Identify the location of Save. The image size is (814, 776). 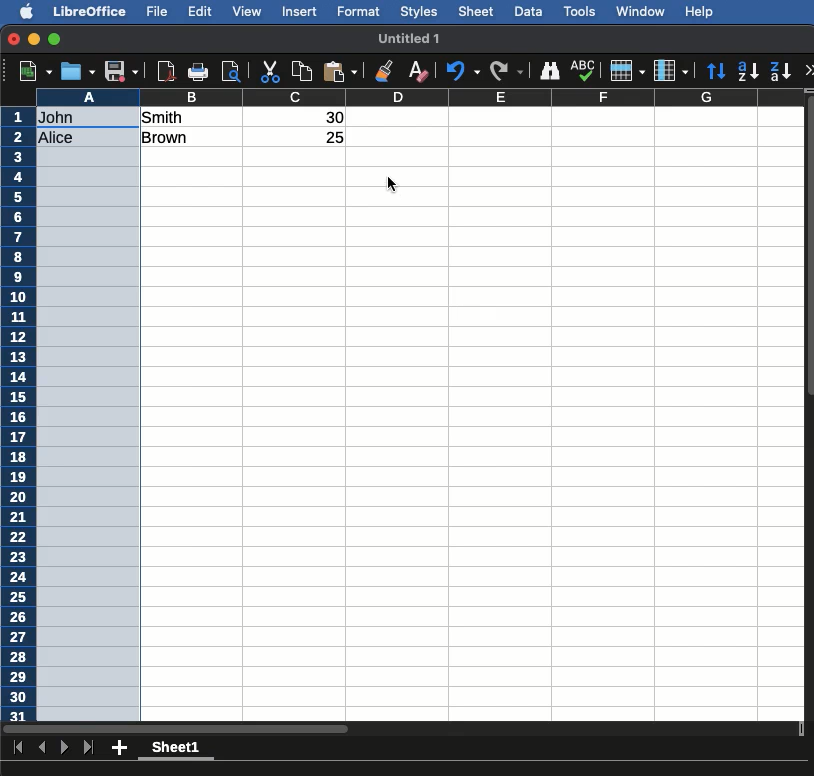
(122, 69).